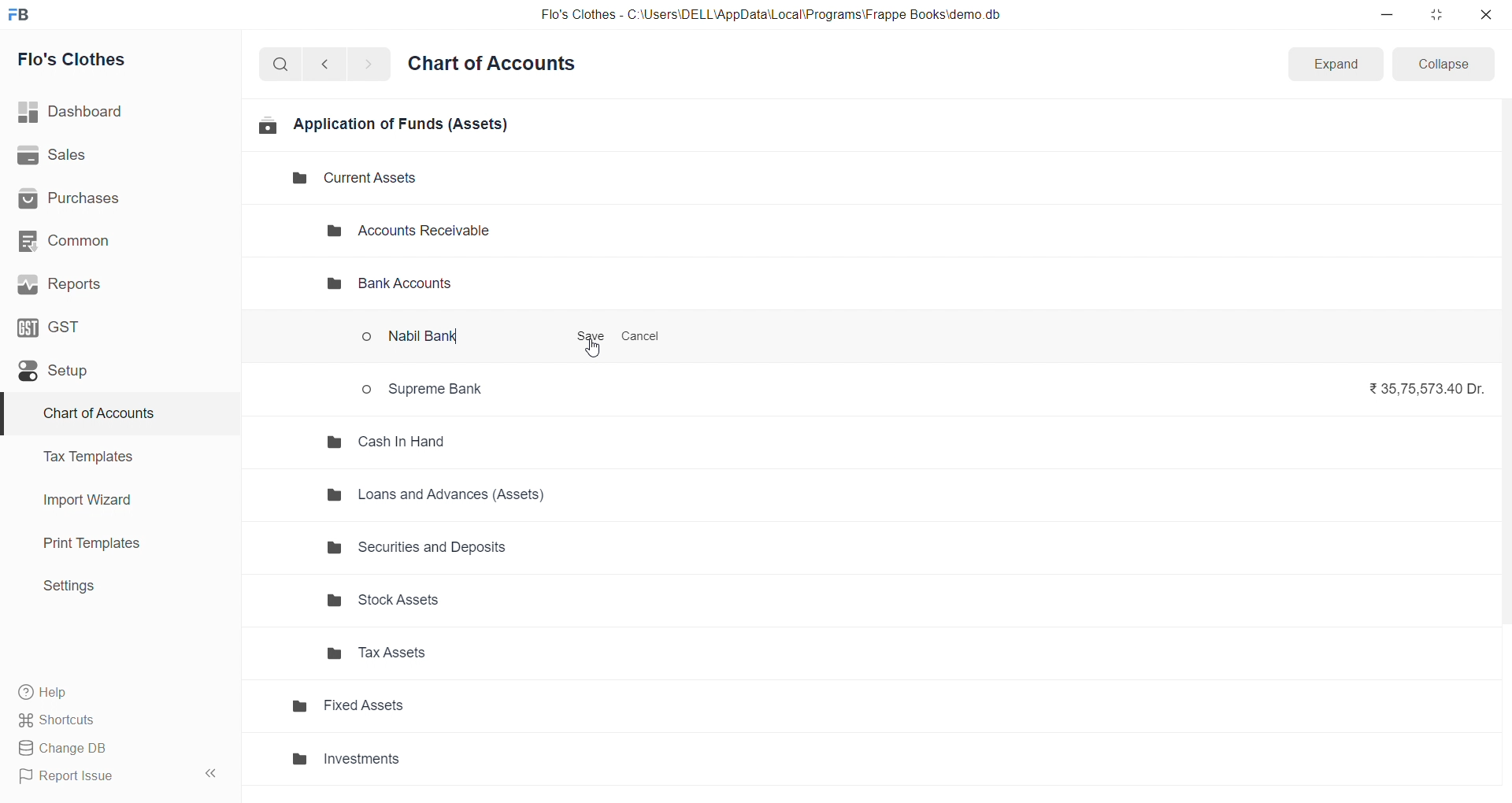  I want to click on Nabil Bank, so click(424, 339).